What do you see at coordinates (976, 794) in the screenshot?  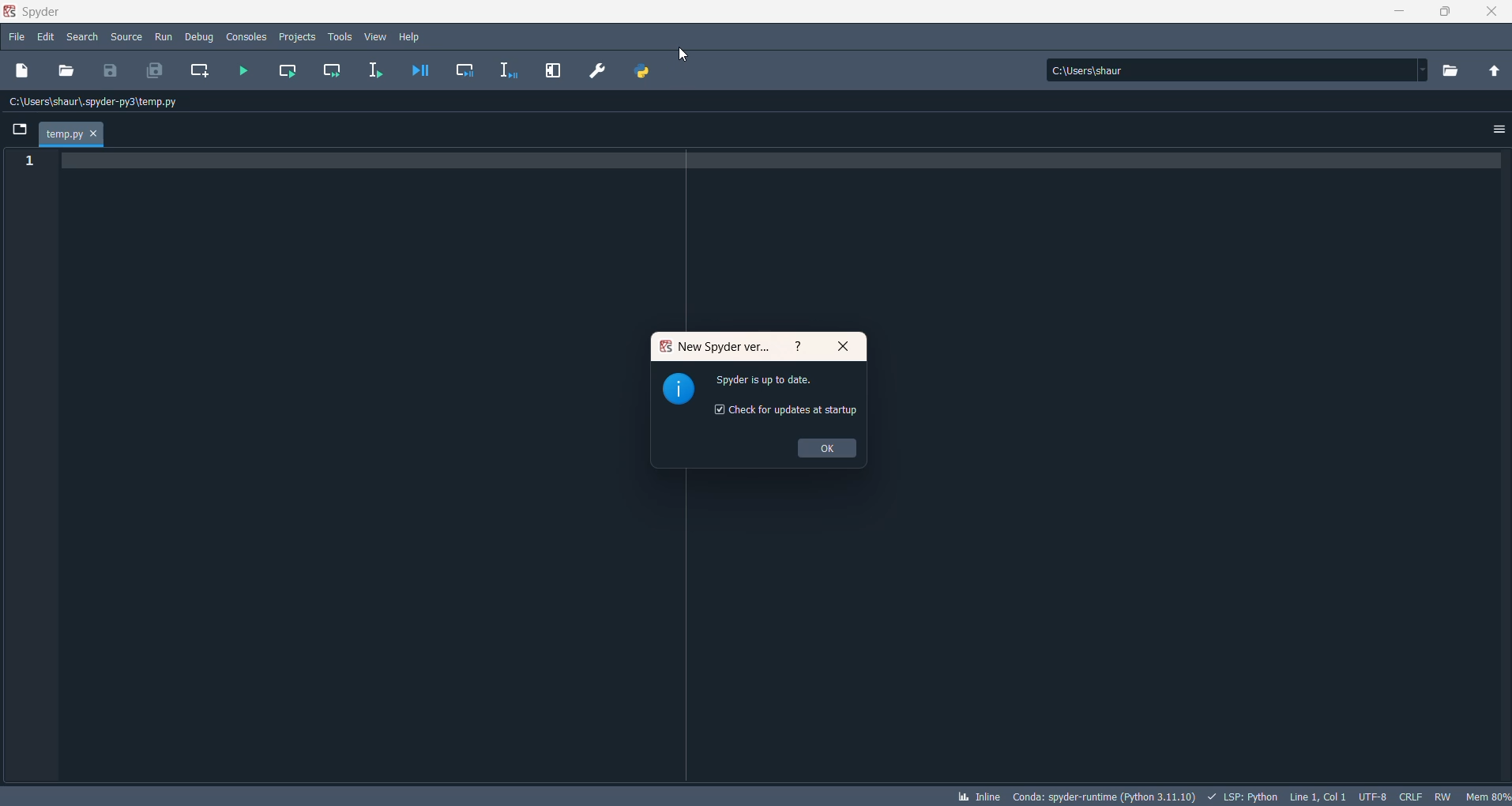 I see `INLINE` at bounding box center [976, 794].